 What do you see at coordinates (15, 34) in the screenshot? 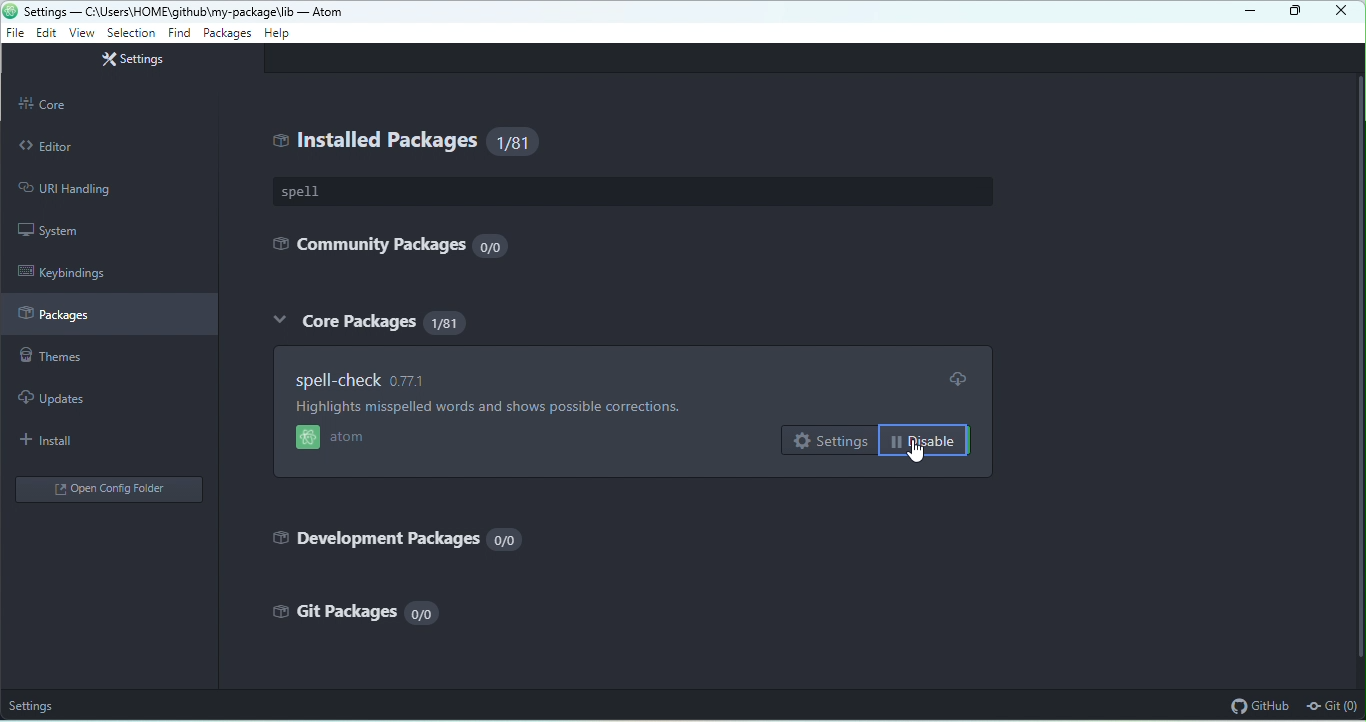
I see `file` at bounding box center [15, 34].